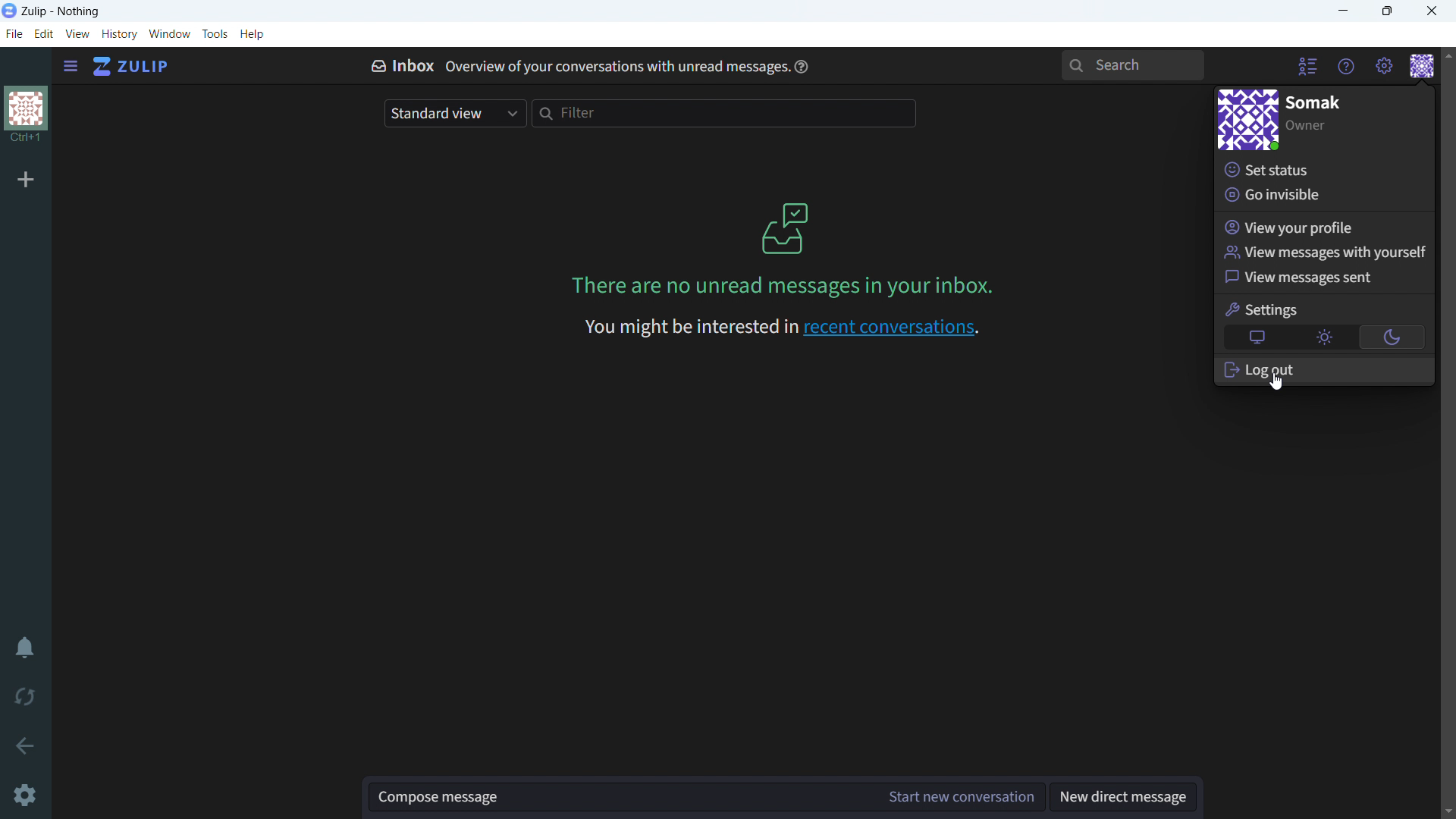 Image resolution: width=1456 pixels, height=819 pixels. Describe the element at coordinates (1307, 127) in the screenshot. I see `designation` at that location.